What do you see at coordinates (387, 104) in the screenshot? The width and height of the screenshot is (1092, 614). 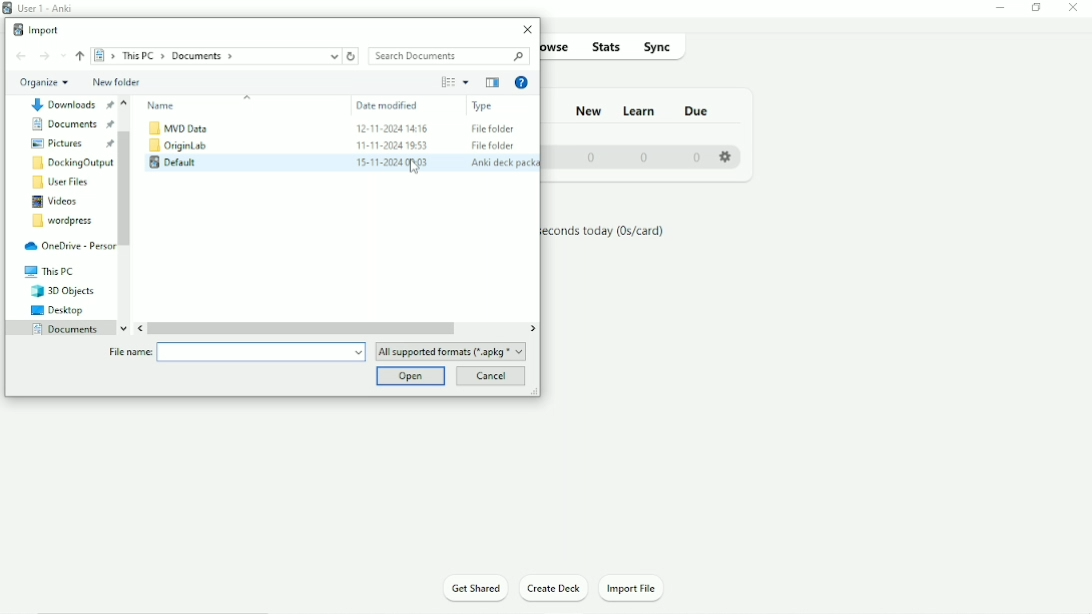 I see `Date modified` at bounding box center [387, 104].